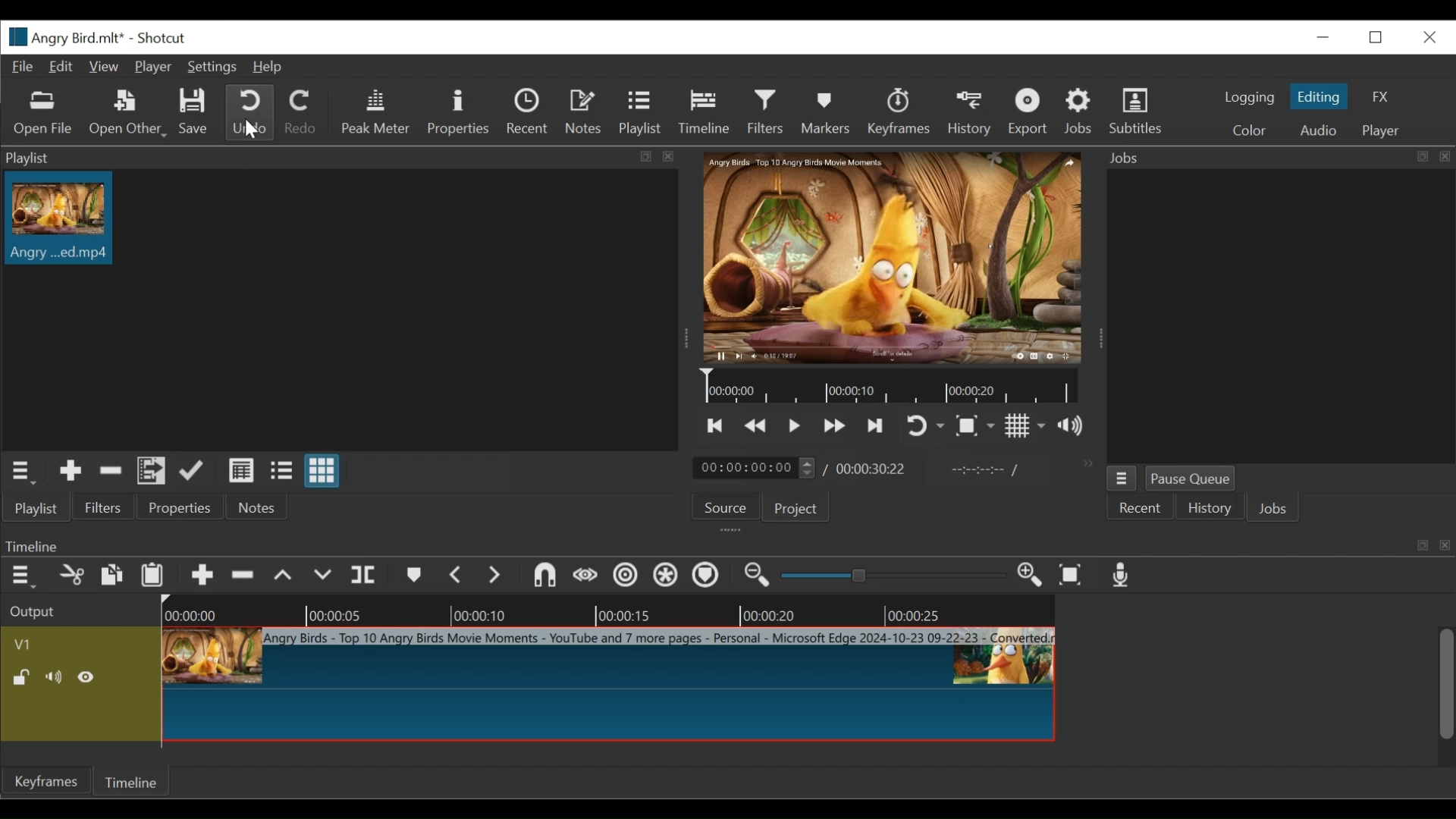 This screenshot has width=1456, height=819. I want to click on overwrite, so click(322, 577).